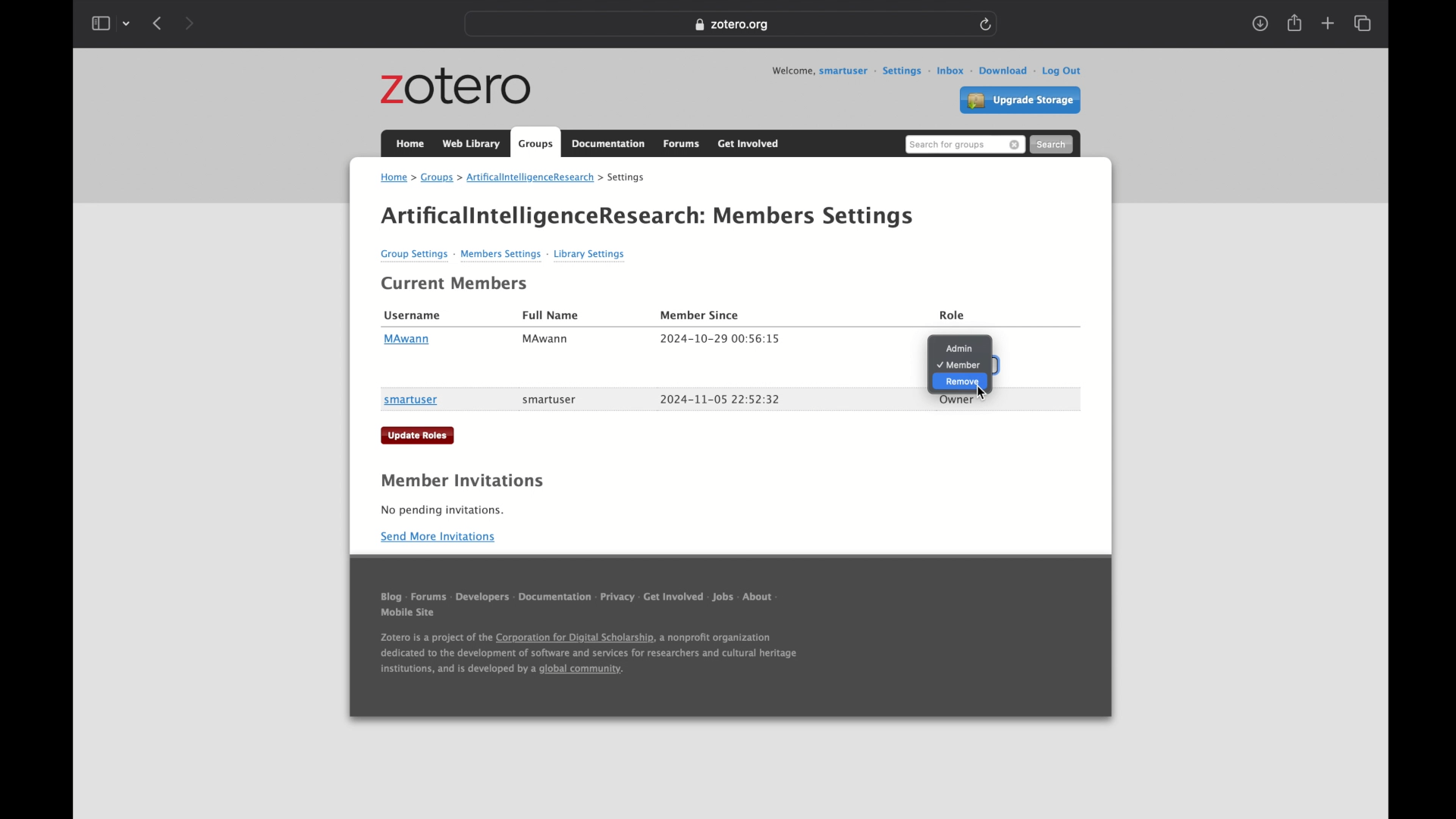 The image size is (1456, 819). What do you see at coordinates (980, 388) in the screenshot?
I see `cursor` at bounding box center [980, 388].